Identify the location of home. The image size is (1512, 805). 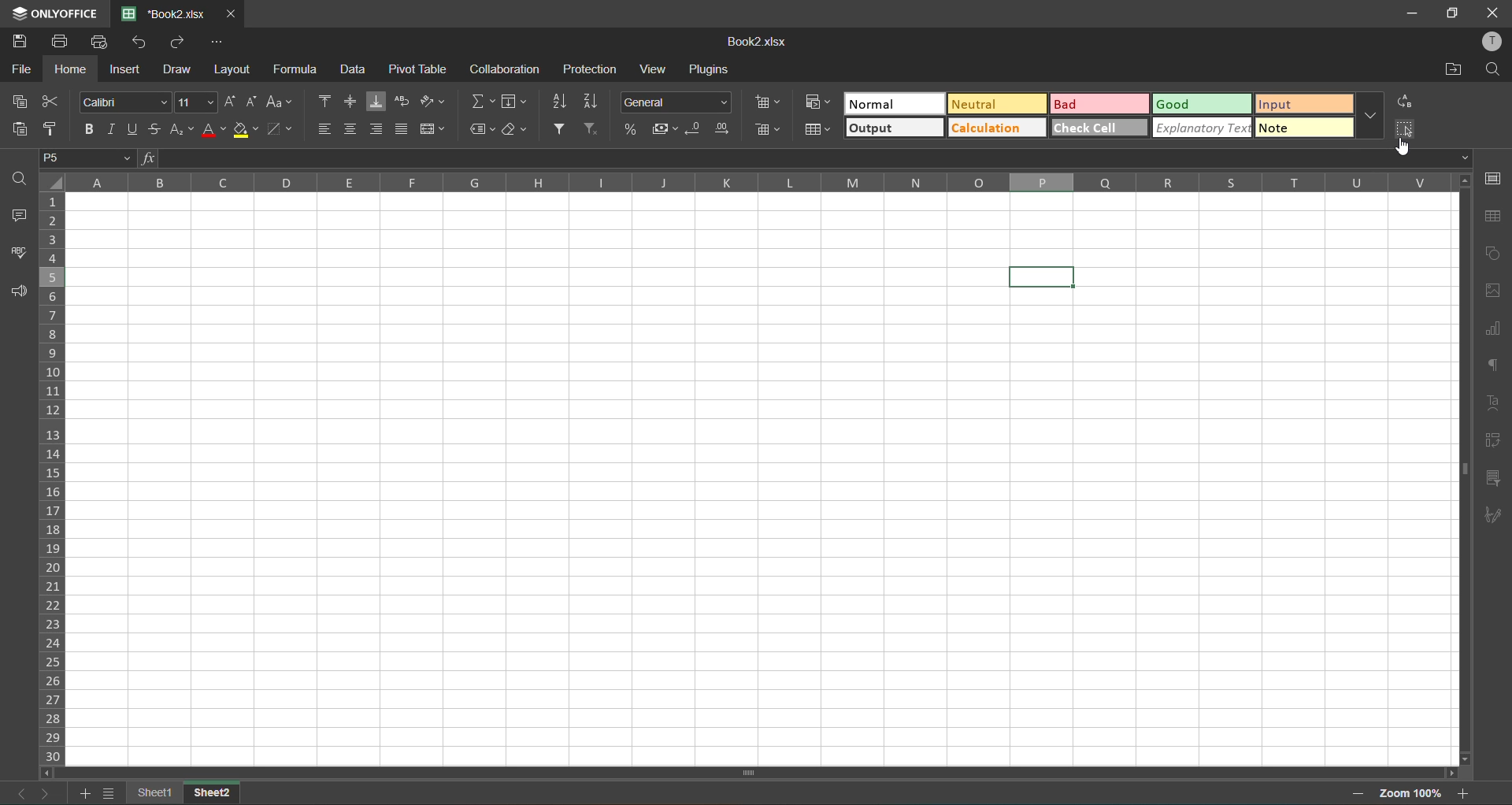
(75, 72).